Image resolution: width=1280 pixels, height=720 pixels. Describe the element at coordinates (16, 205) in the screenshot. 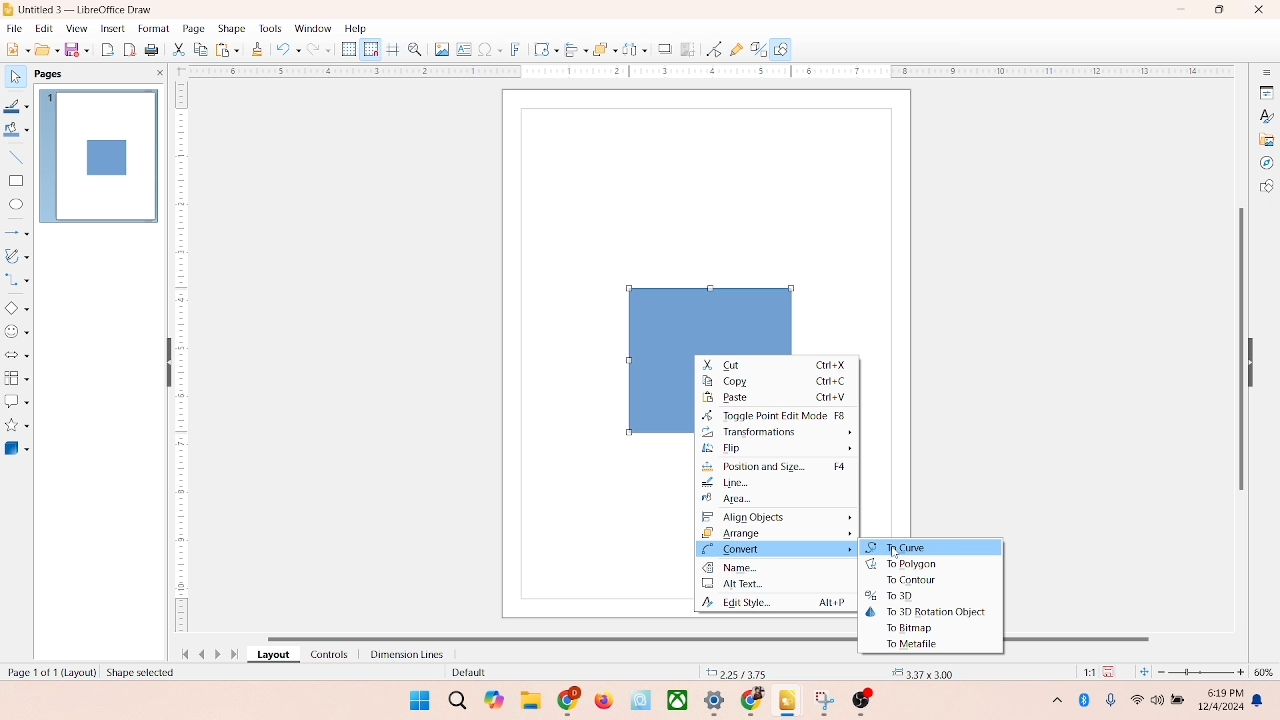

I see `ellipse` at that location.